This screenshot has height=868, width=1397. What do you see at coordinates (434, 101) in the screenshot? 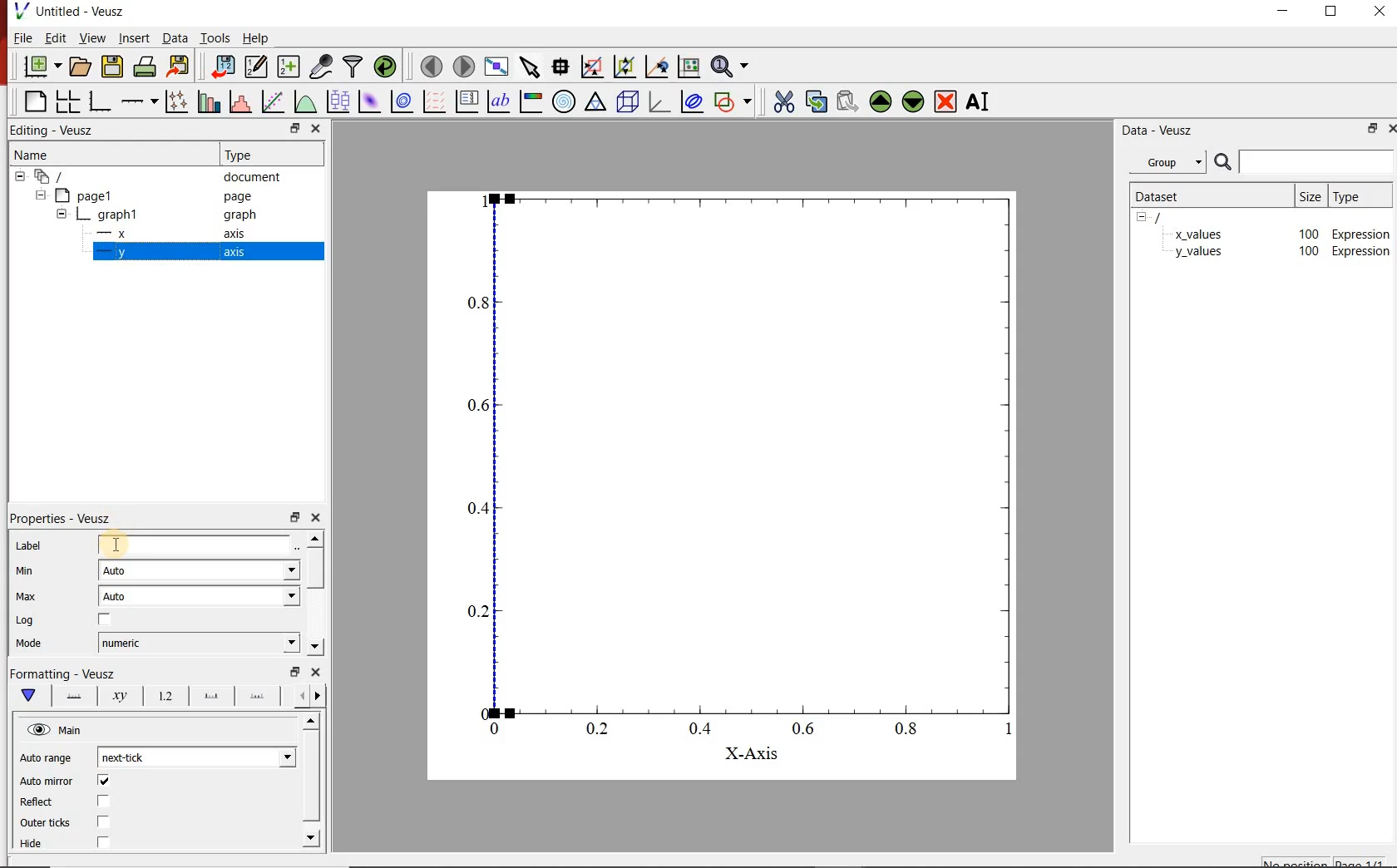
I see `plot vector field` at bounding box center [434, 101].